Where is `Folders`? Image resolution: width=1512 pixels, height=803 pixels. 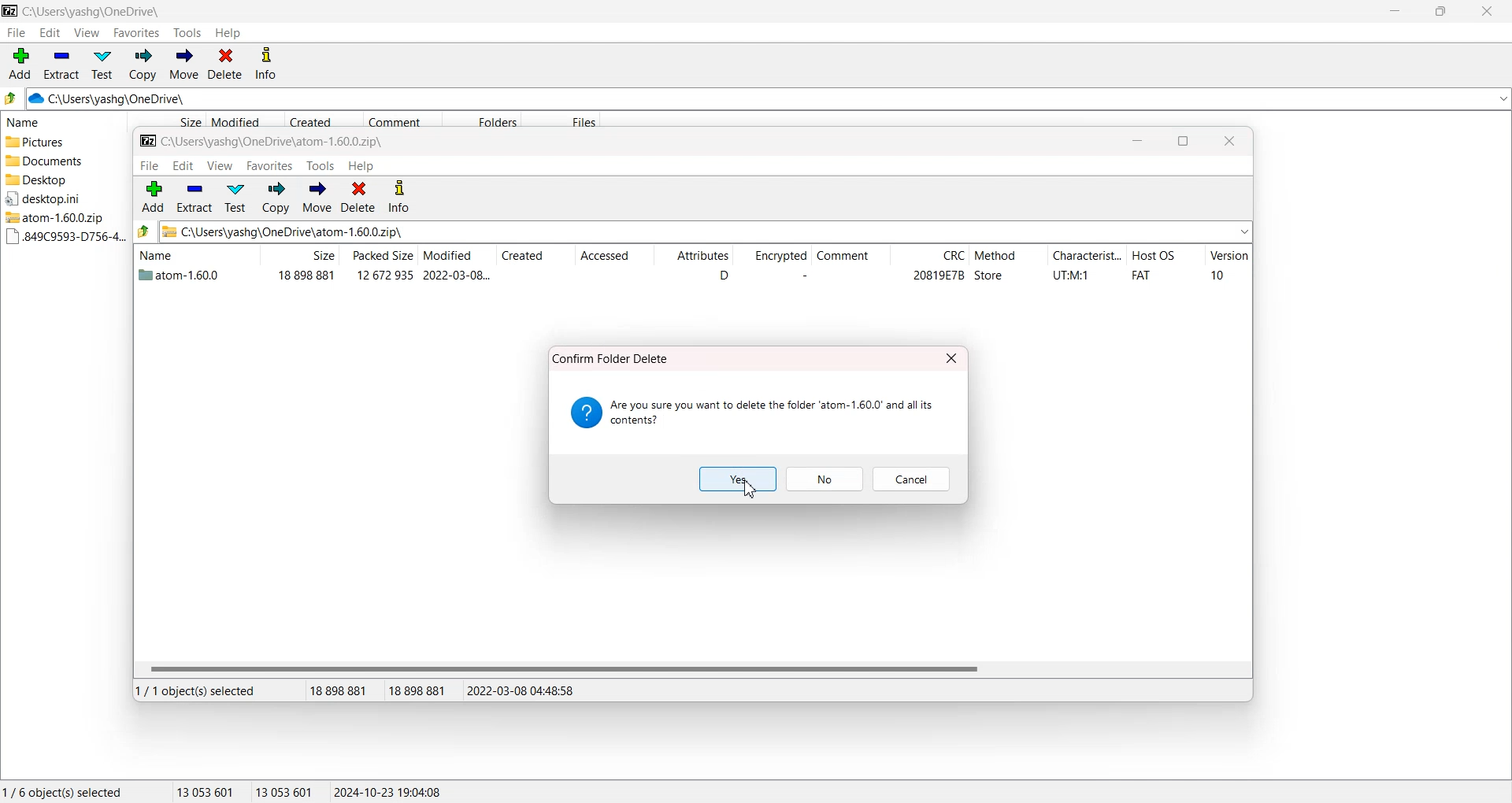
Folders is located at coordinates (481, 120).